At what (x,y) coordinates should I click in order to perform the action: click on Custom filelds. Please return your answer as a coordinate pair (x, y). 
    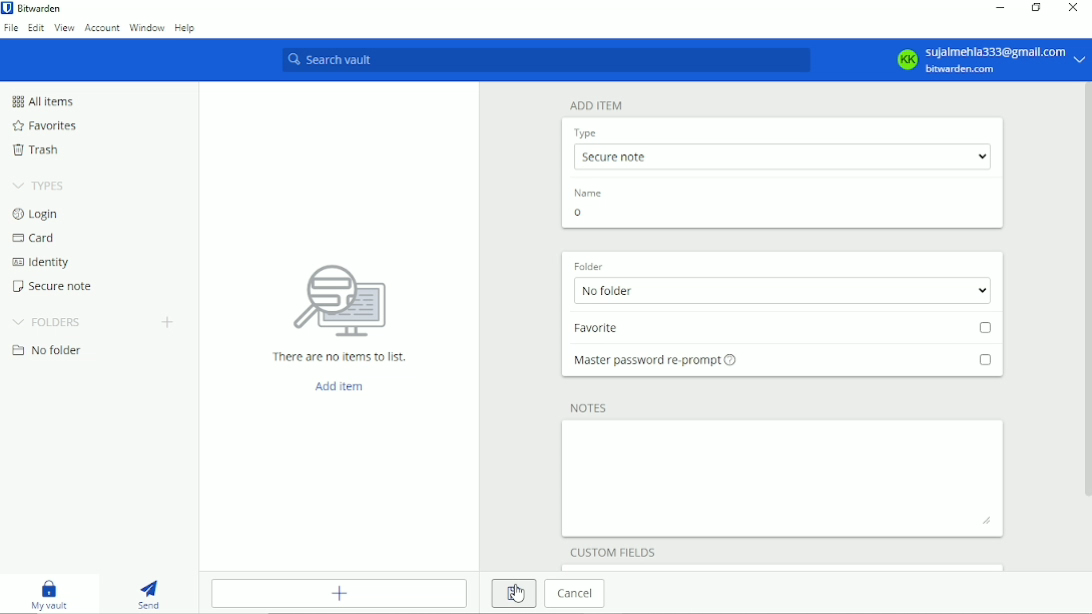
    Looking at the image, I should click on (614, 550).